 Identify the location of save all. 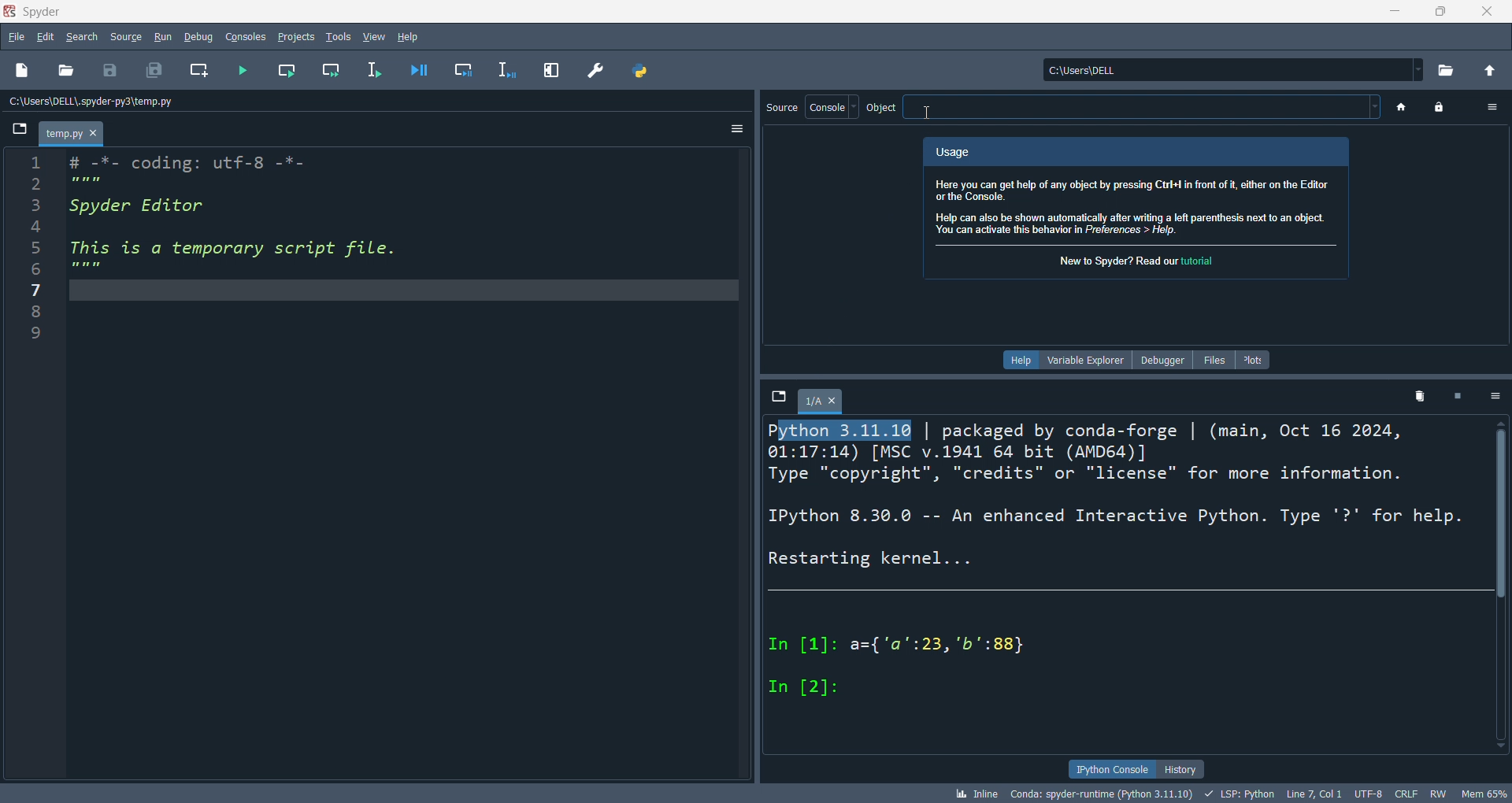
(153, 72).